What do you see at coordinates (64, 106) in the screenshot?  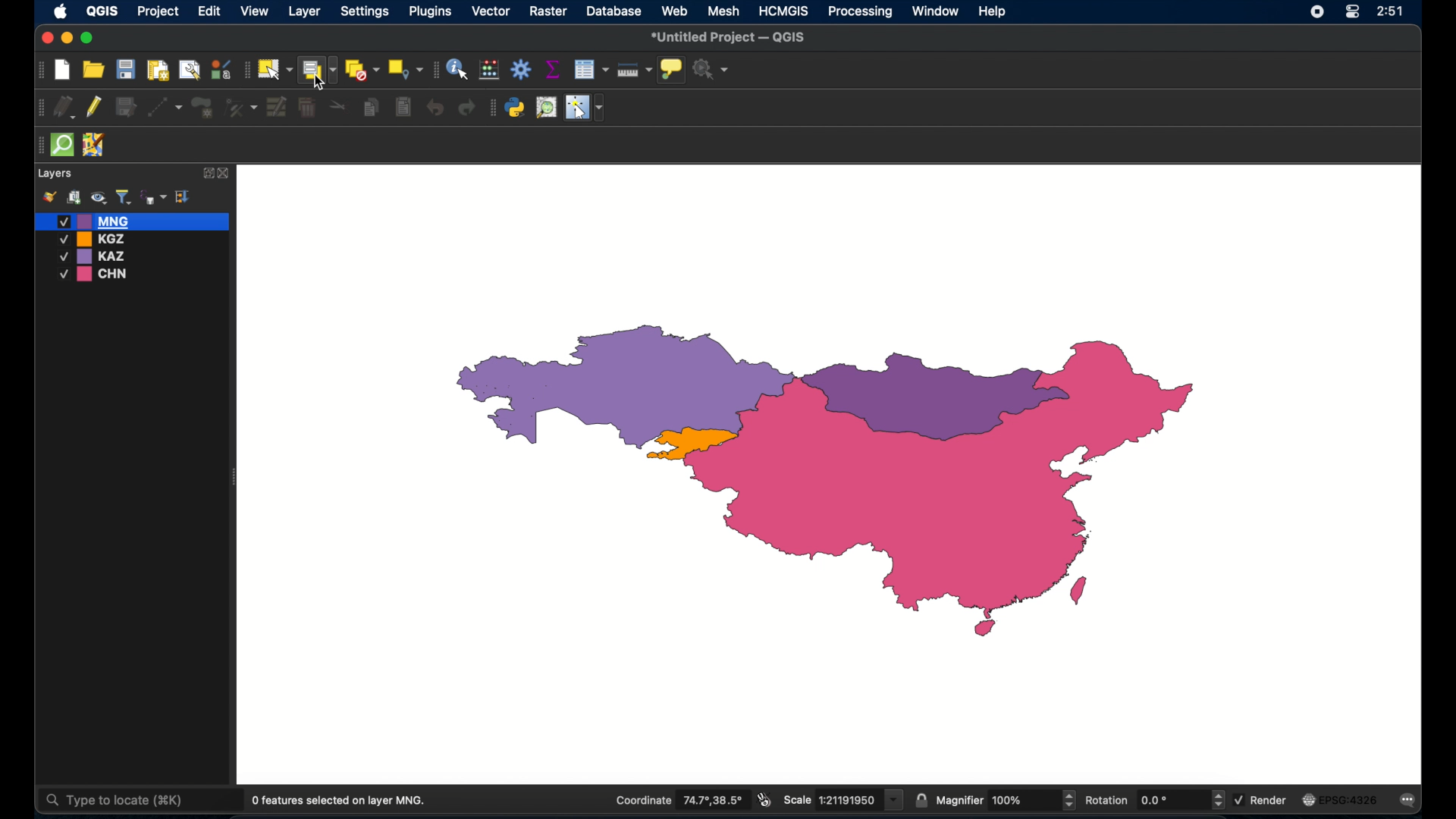 I see `current edits` at bounding box center [64, 106].